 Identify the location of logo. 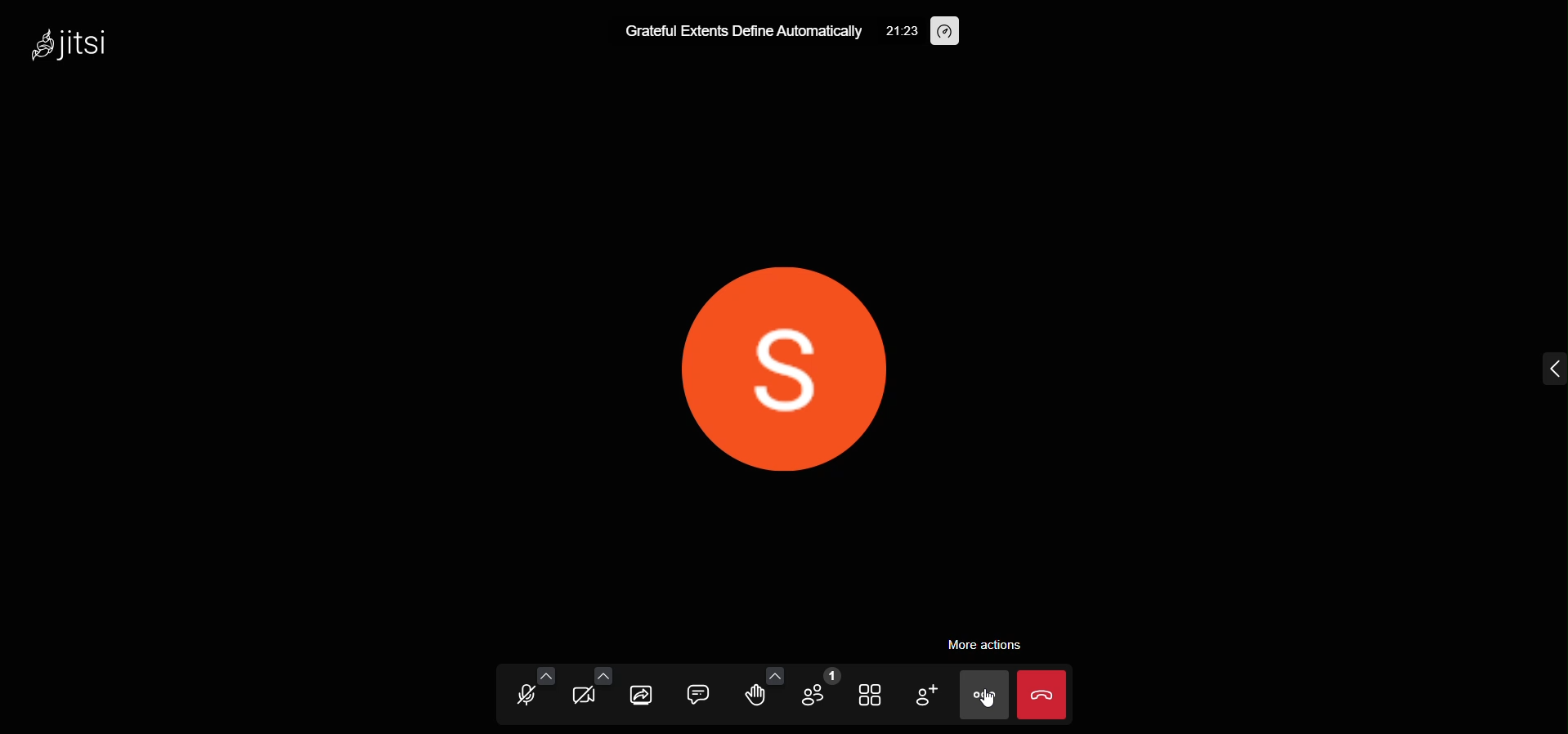
(74, 44).